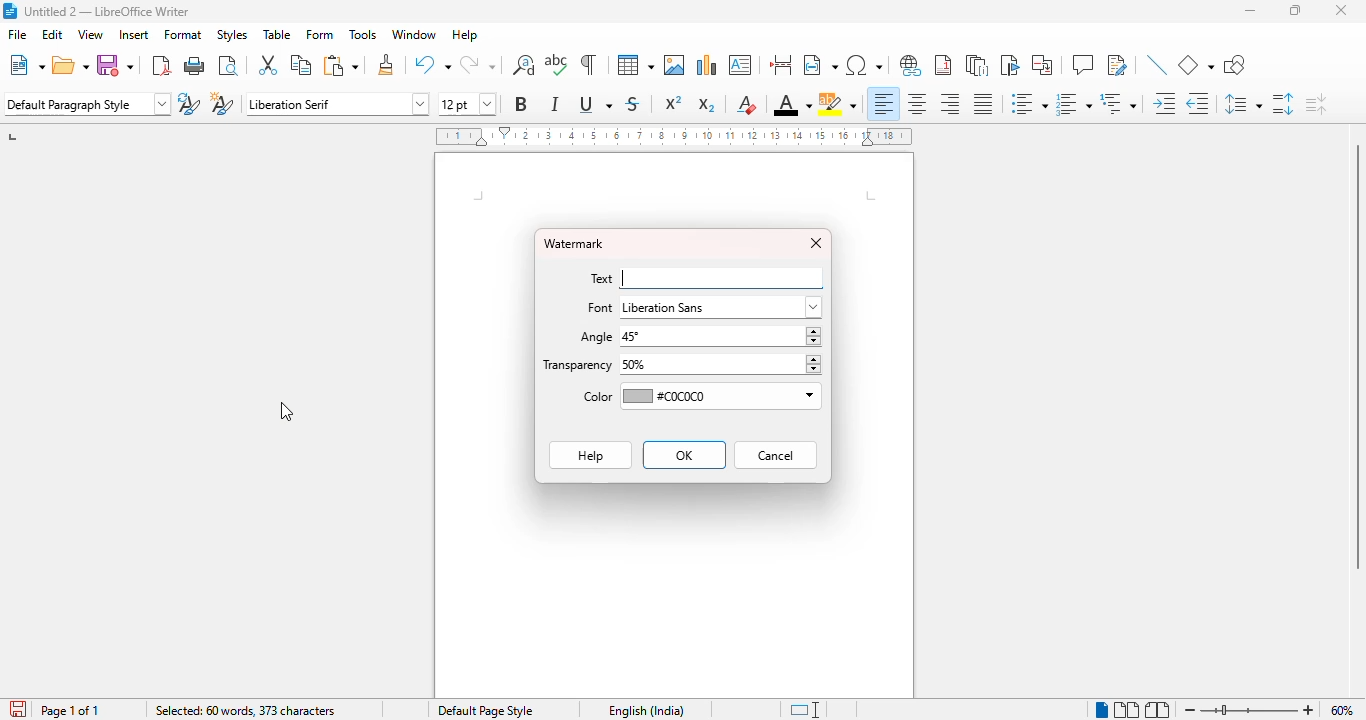 The height and width of the screenshot is (720, 1366). Describe the element at coordinates (320, 34) in the screenshot. I see `form` at that location.